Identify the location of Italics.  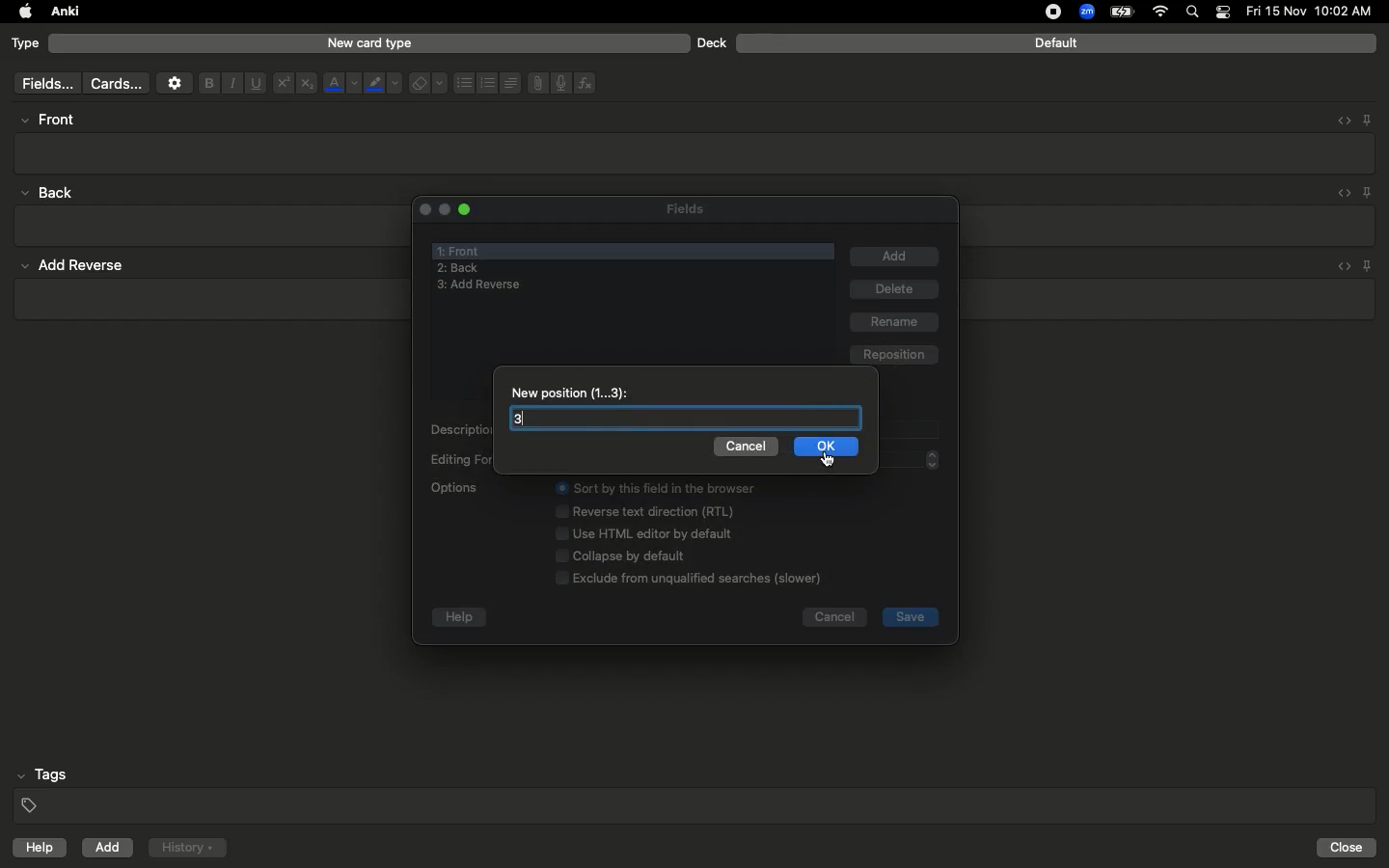
(230, 84).